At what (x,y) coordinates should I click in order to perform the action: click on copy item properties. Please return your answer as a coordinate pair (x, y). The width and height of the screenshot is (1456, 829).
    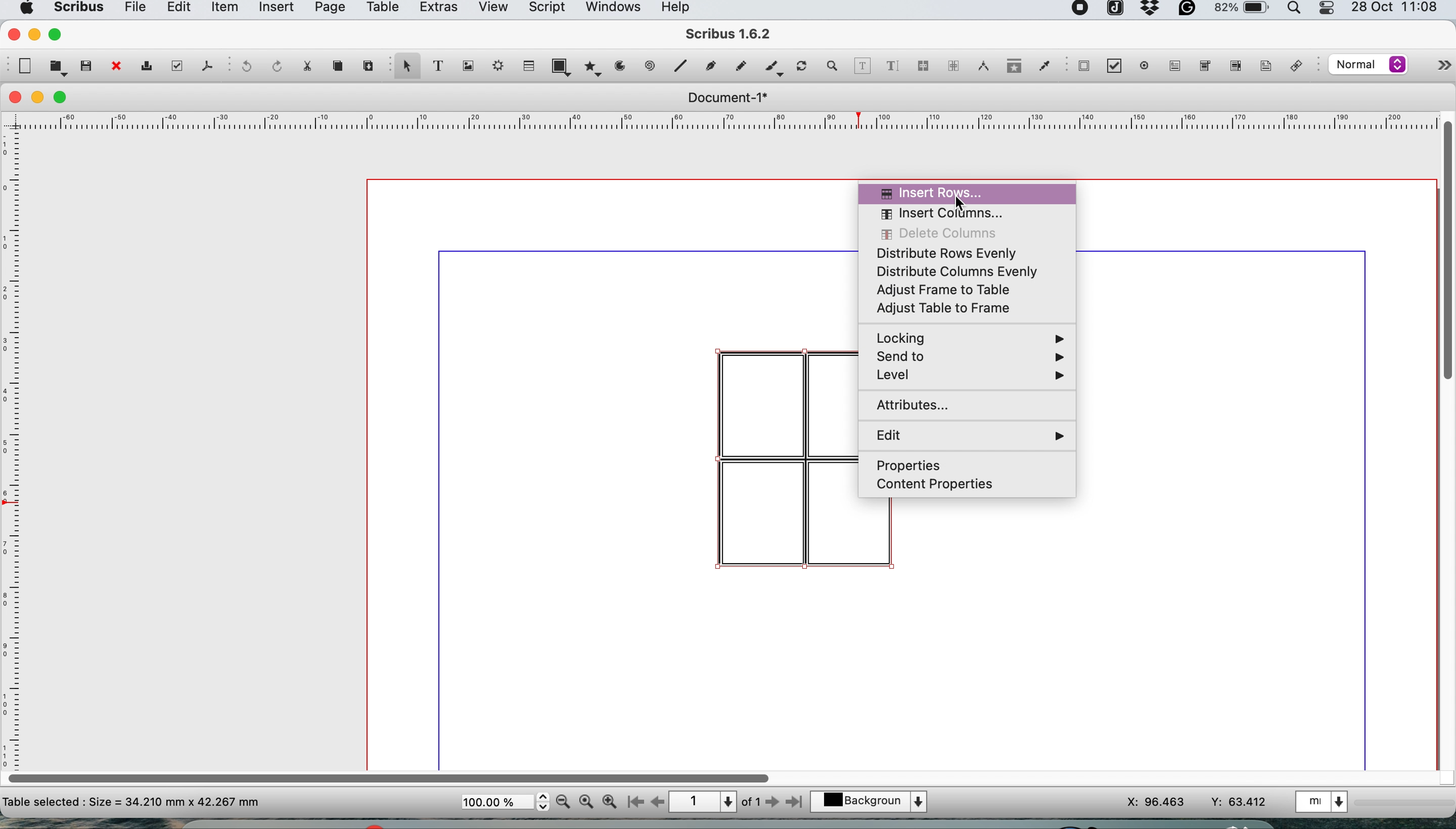
    Looking at the image, I should click on (1011, 69).